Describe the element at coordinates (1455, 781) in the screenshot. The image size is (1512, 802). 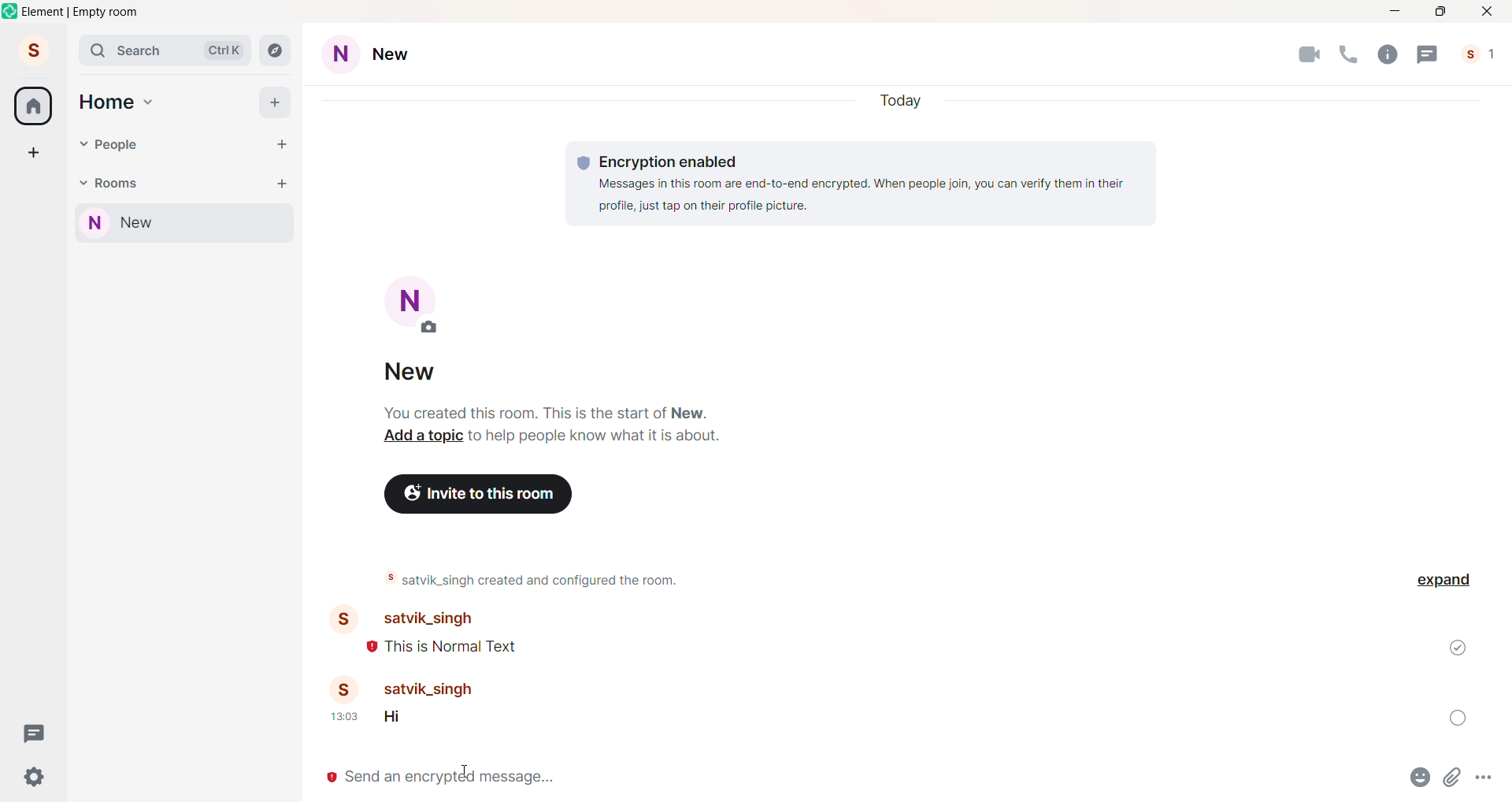
I see `Attachments` at that location.